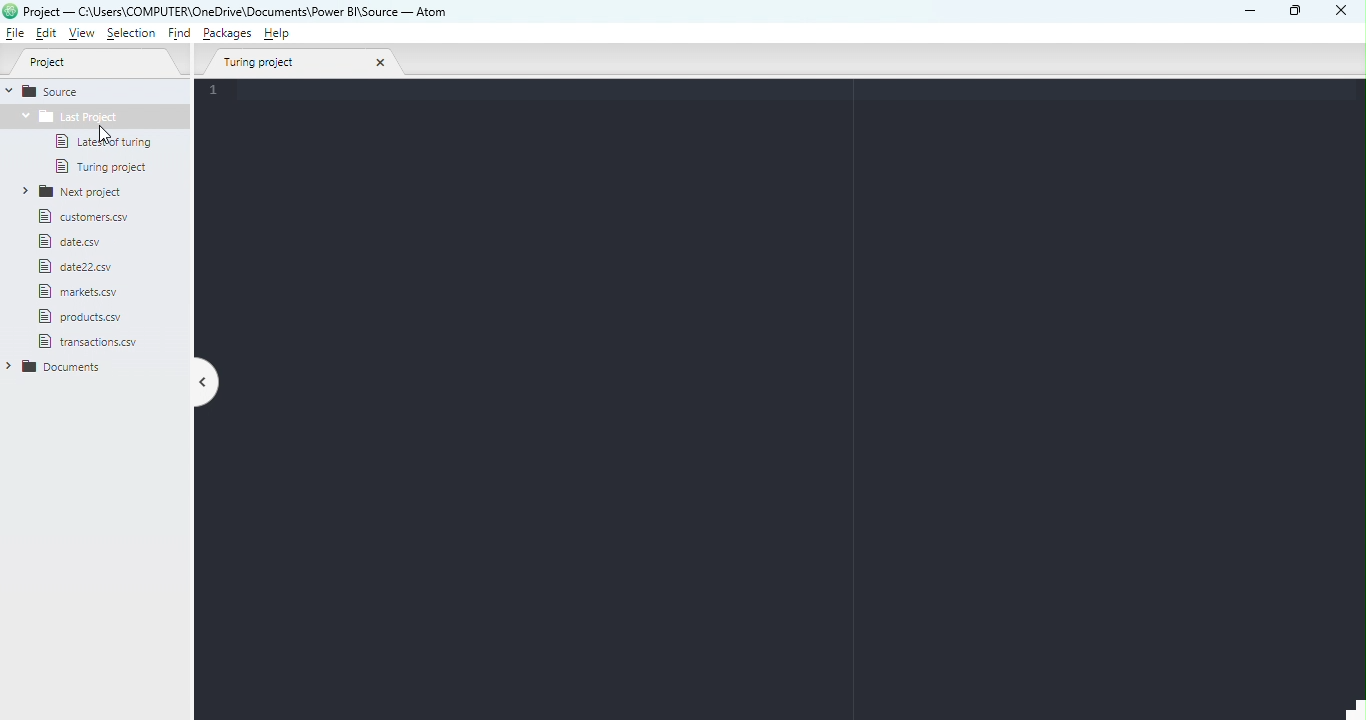 Image resolution: width=1366 pixels, height=720 pixels. What do you see at coordinates (108, 169) in the screenshot?
I see `Turing project file` at bounding box center [108, 169].